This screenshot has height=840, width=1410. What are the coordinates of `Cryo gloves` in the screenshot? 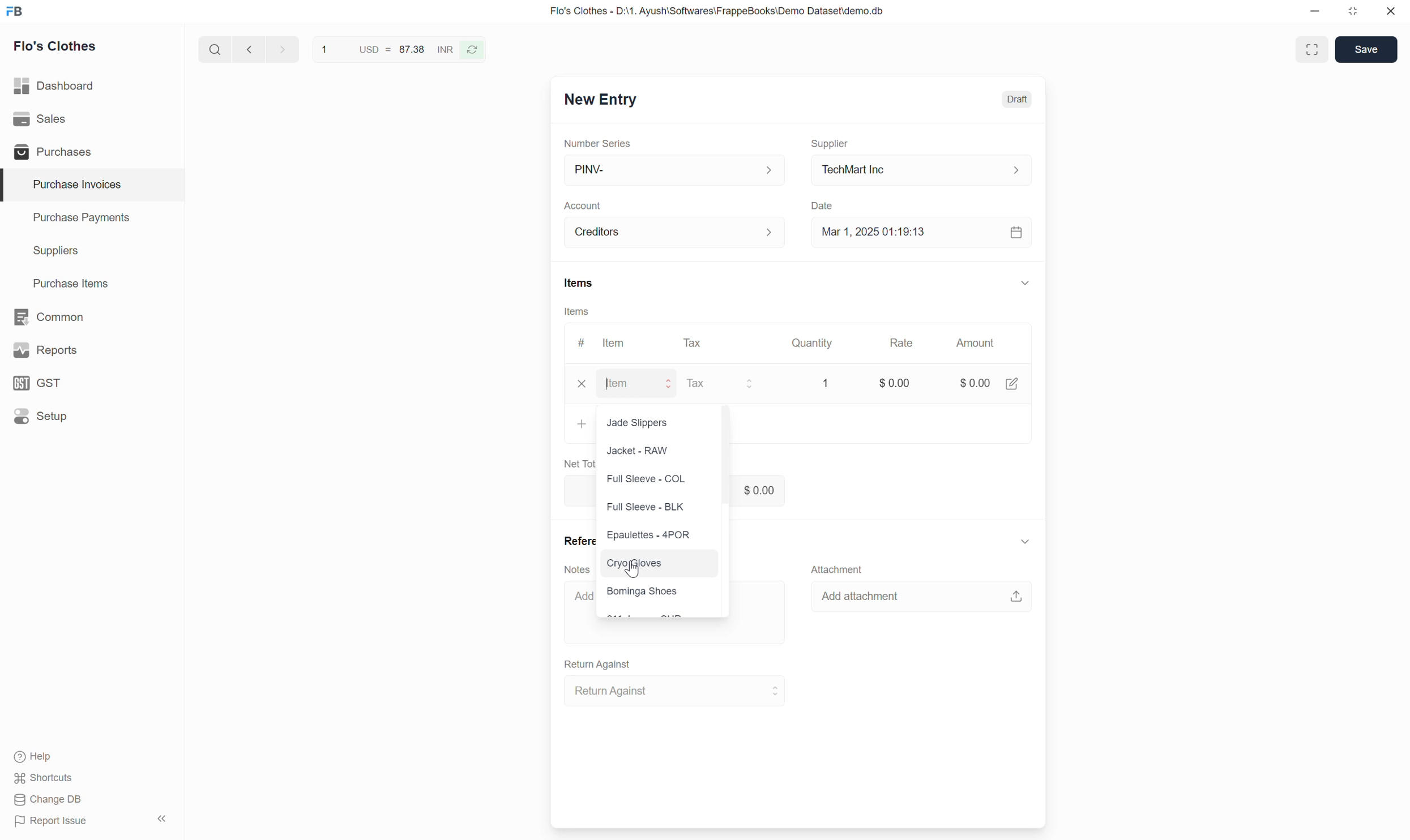 It's located at (640, 563).